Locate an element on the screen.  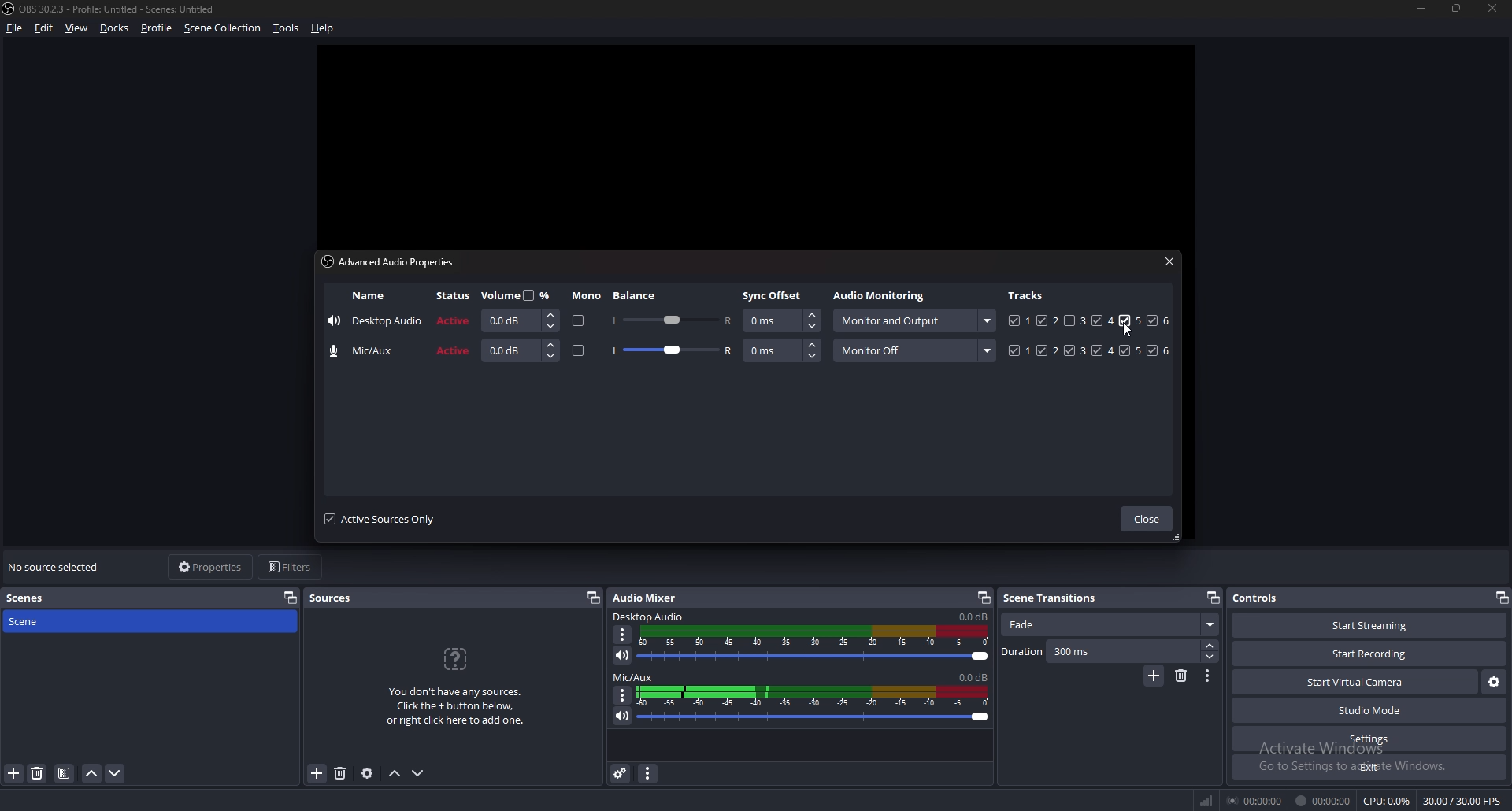
close is located at coordinates (1146, 520).